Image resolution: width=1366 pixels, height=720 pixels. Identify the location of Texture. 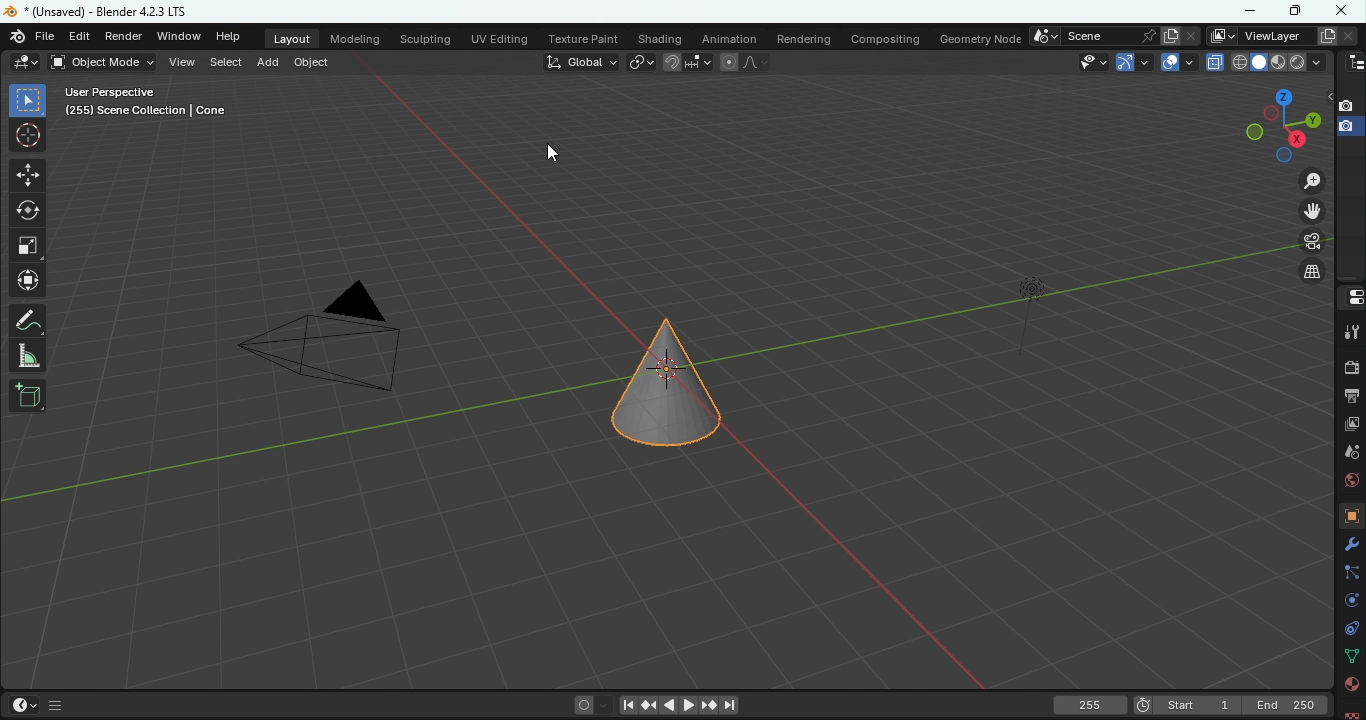
(1349, 516).